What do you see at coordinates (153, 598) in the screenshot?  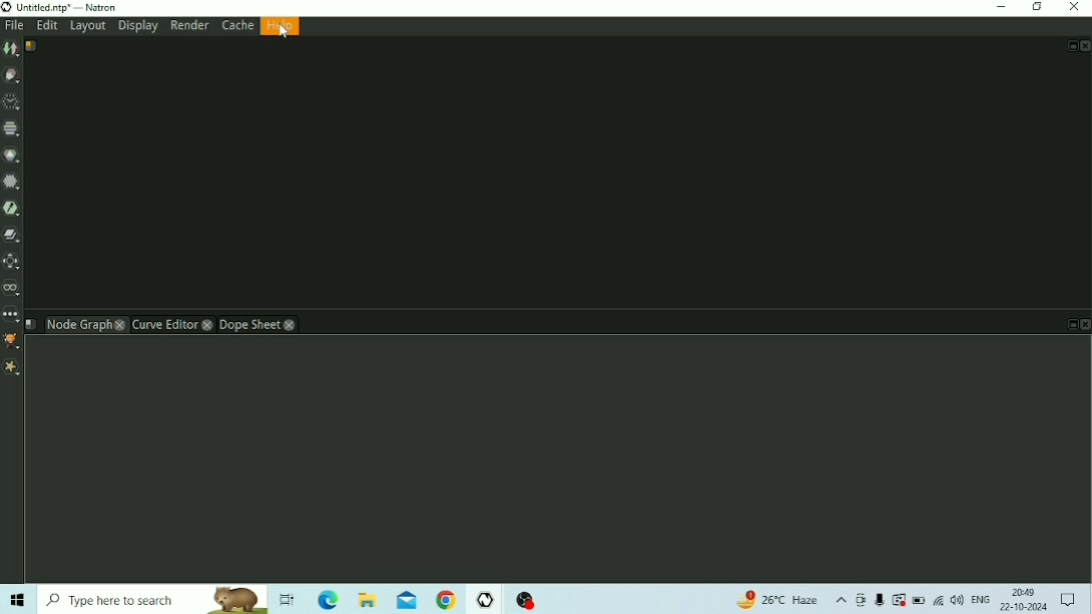 I see `Type here to search` at bounding box center [153, 598].